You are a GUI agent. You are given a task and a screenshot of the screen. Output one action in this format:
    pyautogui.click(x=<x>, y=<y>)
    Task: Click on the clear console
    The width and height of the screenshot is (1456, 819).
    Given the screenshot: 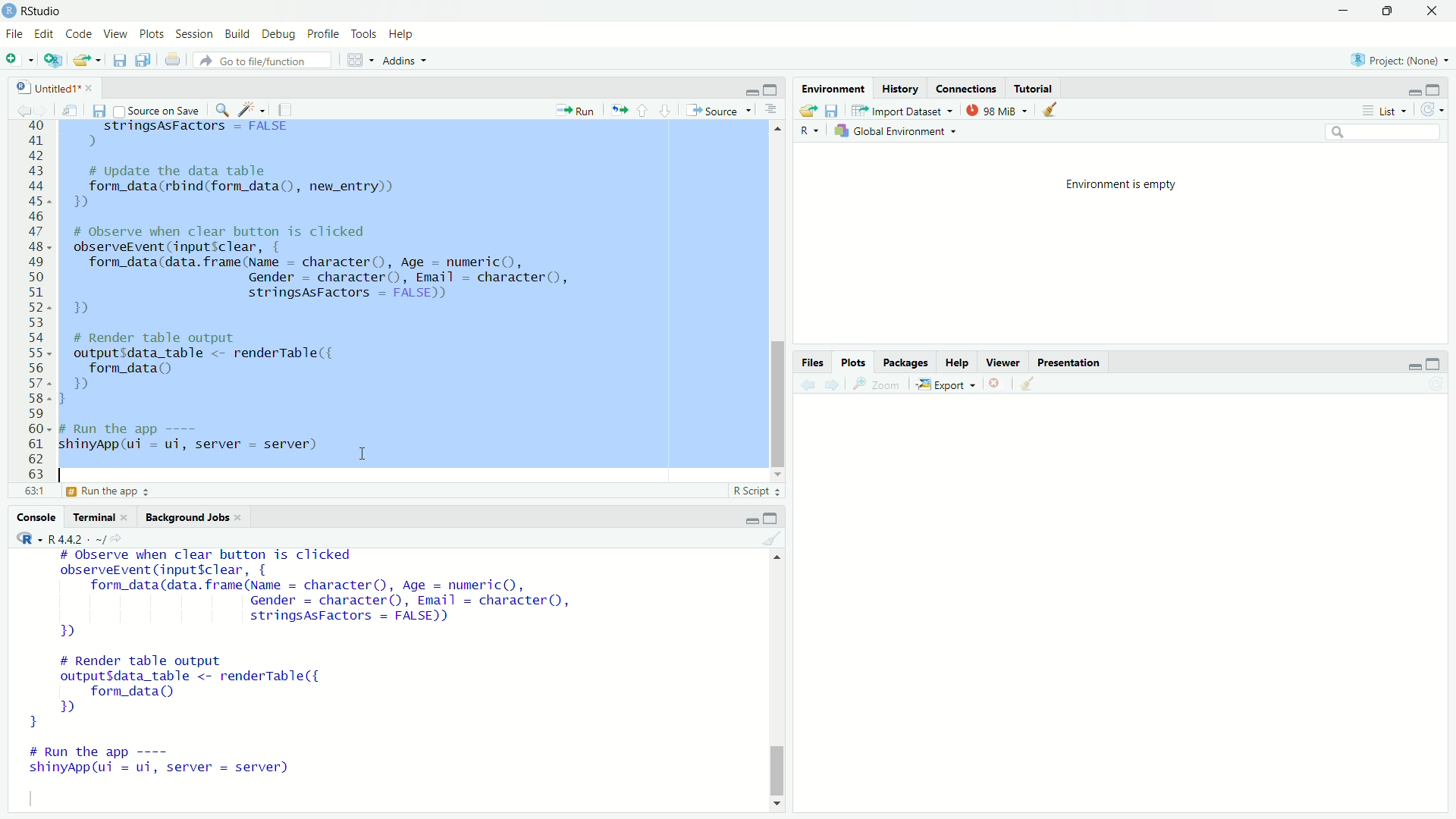 What is the action you would take?
    pyautogui.click(x=775, y=538)
    